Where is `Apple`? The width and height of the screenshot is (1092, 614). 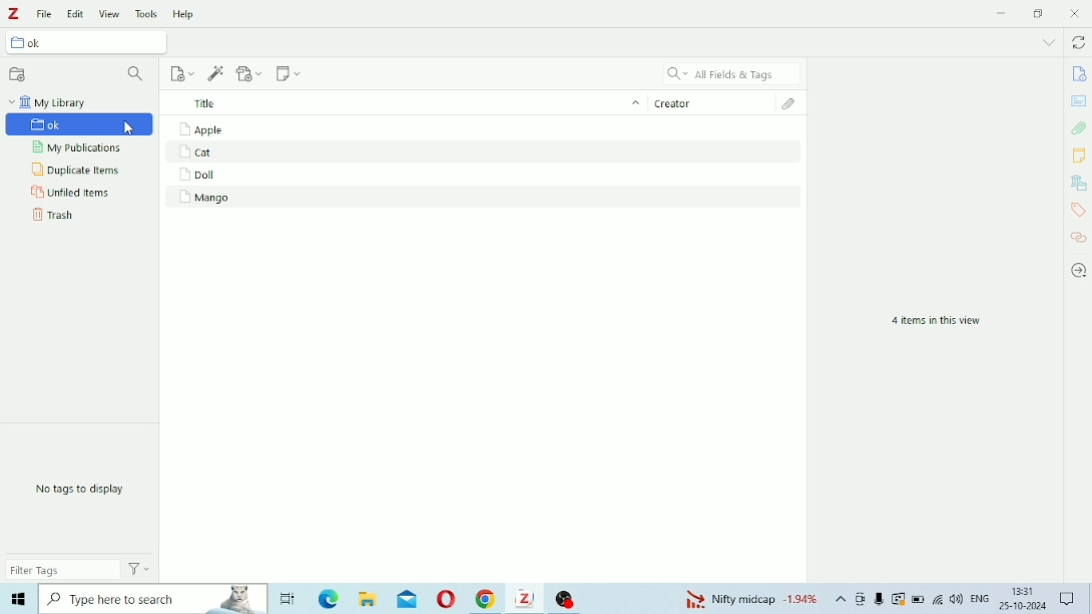
Apple is located at coordinates (200, 130).